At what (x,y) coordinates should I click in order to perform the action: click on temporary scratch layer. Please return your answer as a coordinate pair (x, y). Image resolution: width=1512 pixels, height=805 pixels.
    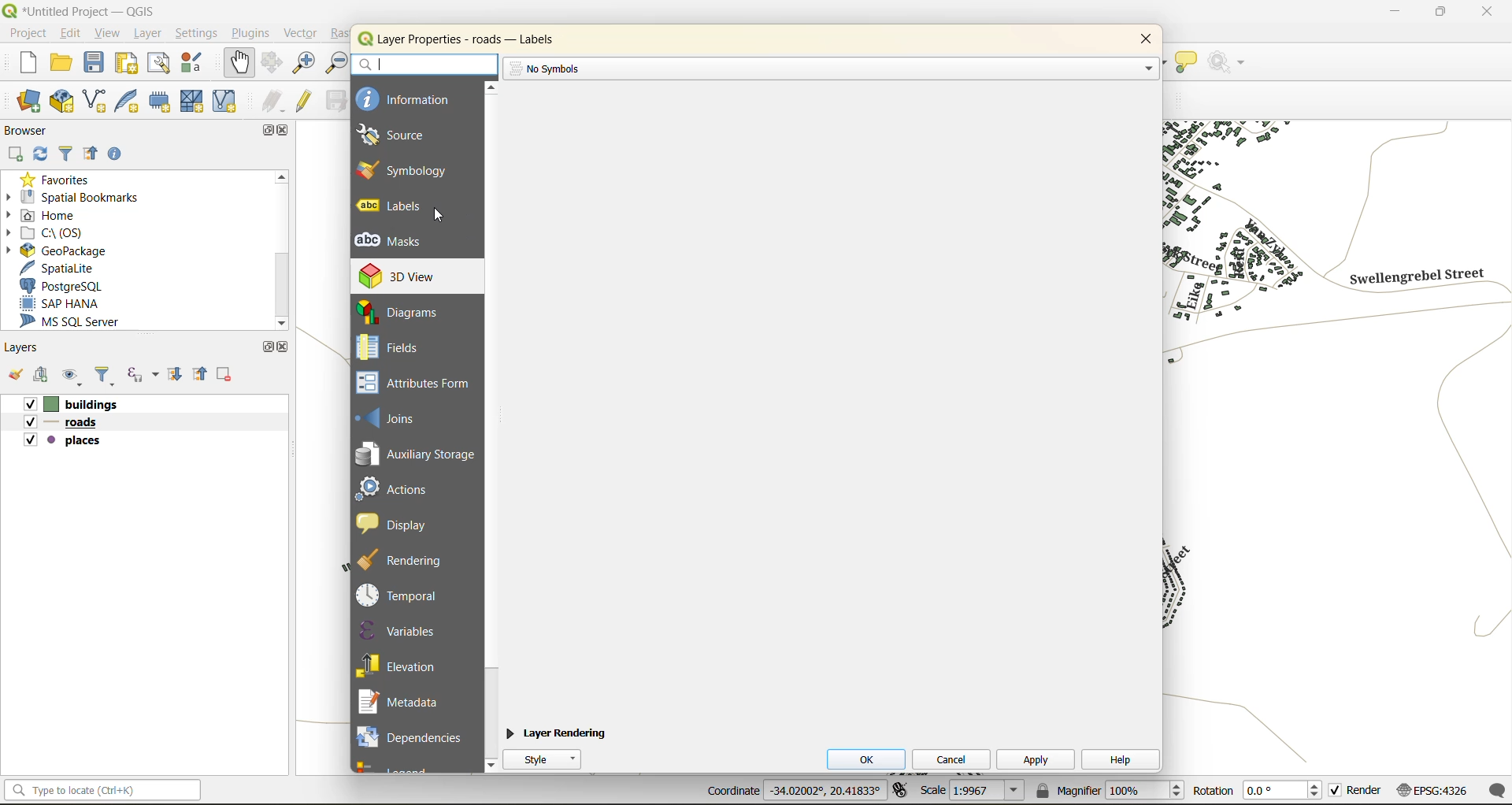
    Looking at the image, I should click on (161, 101).